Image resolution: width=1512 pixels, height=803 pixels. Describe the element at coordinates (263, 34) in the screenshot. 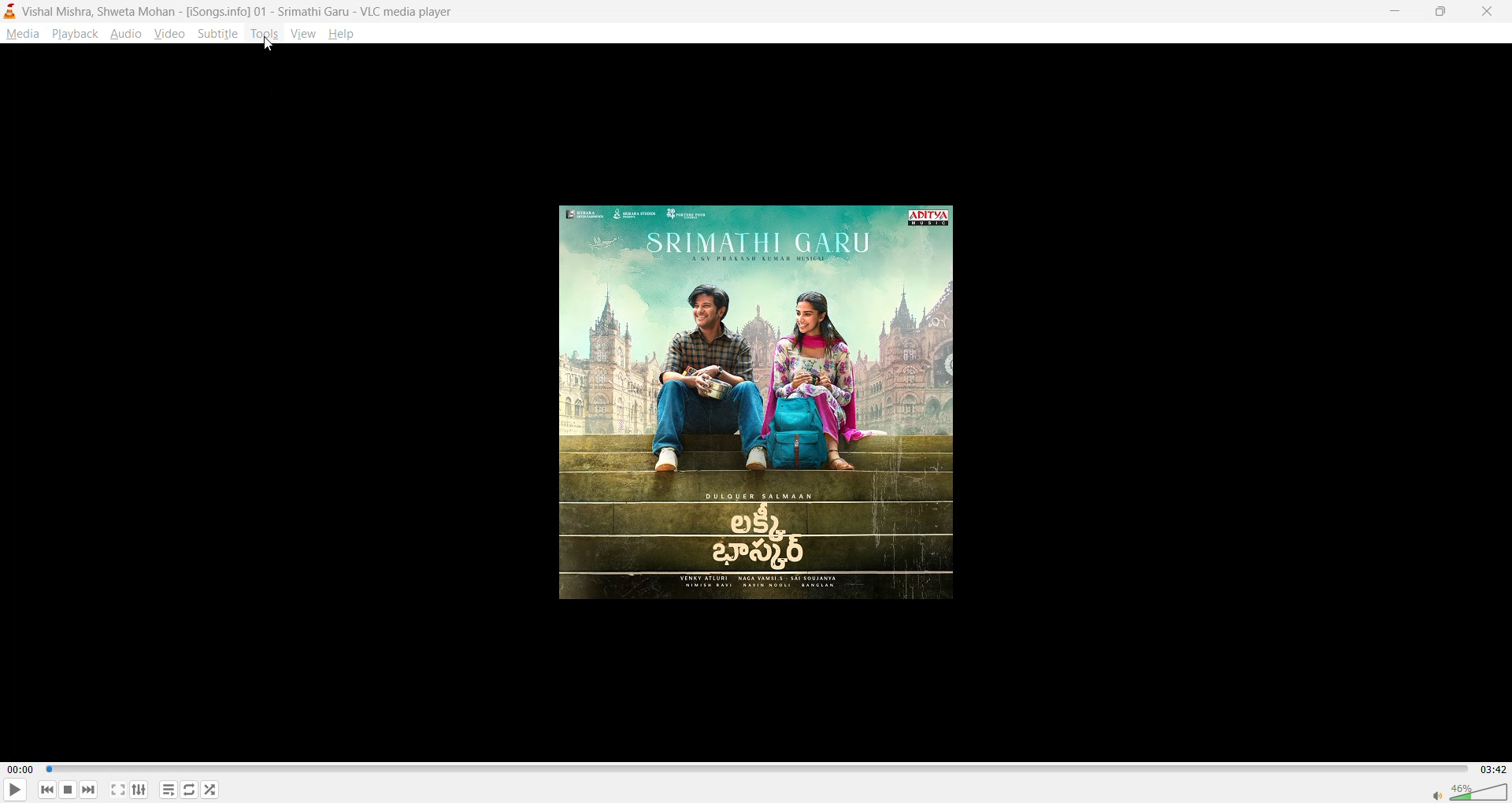

I see `tools` at that location.